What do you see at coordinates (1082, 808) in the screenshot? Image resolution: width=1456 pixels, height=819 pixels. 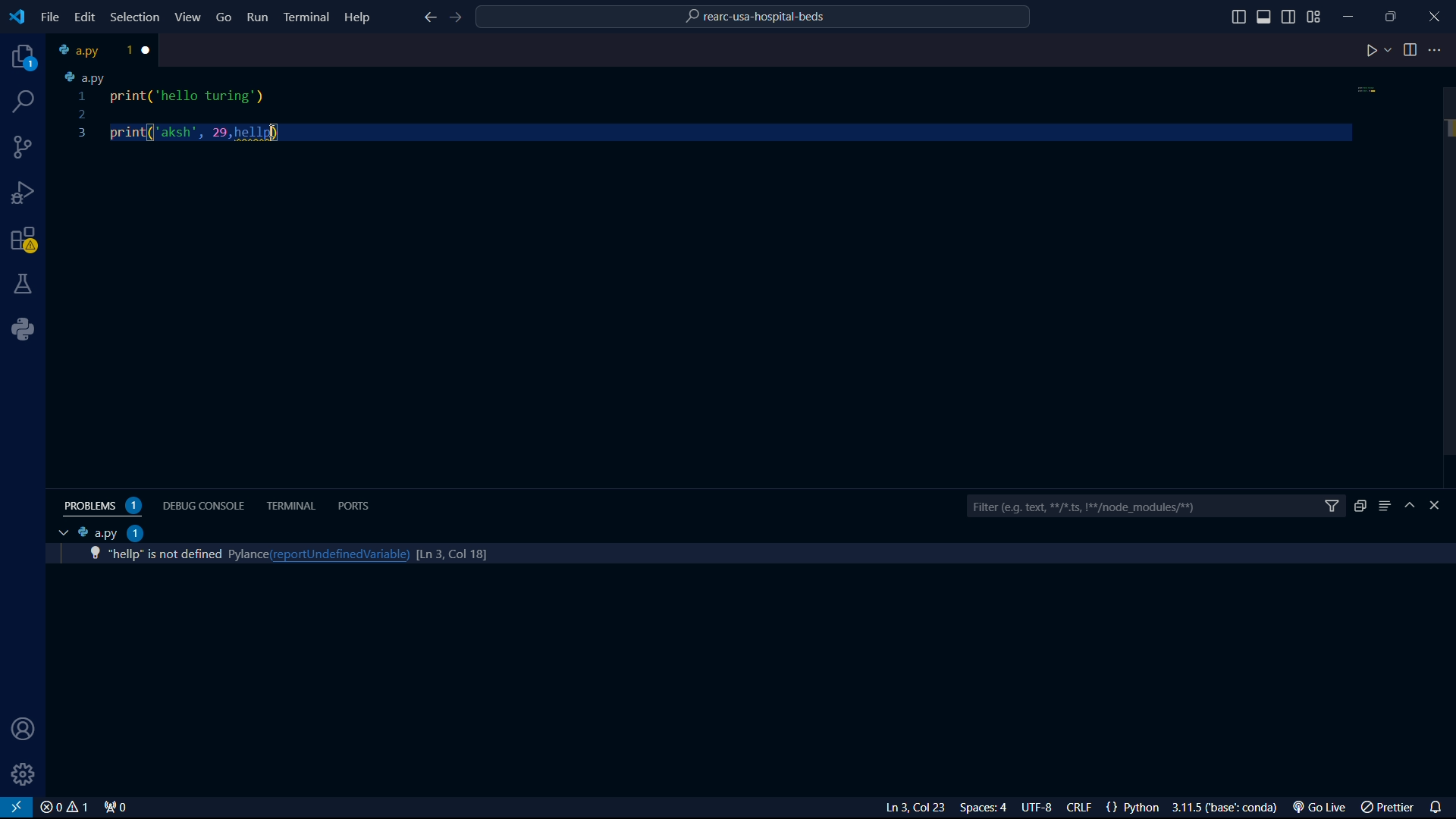 I see `CRLF` at bounding box center [1082, 808].